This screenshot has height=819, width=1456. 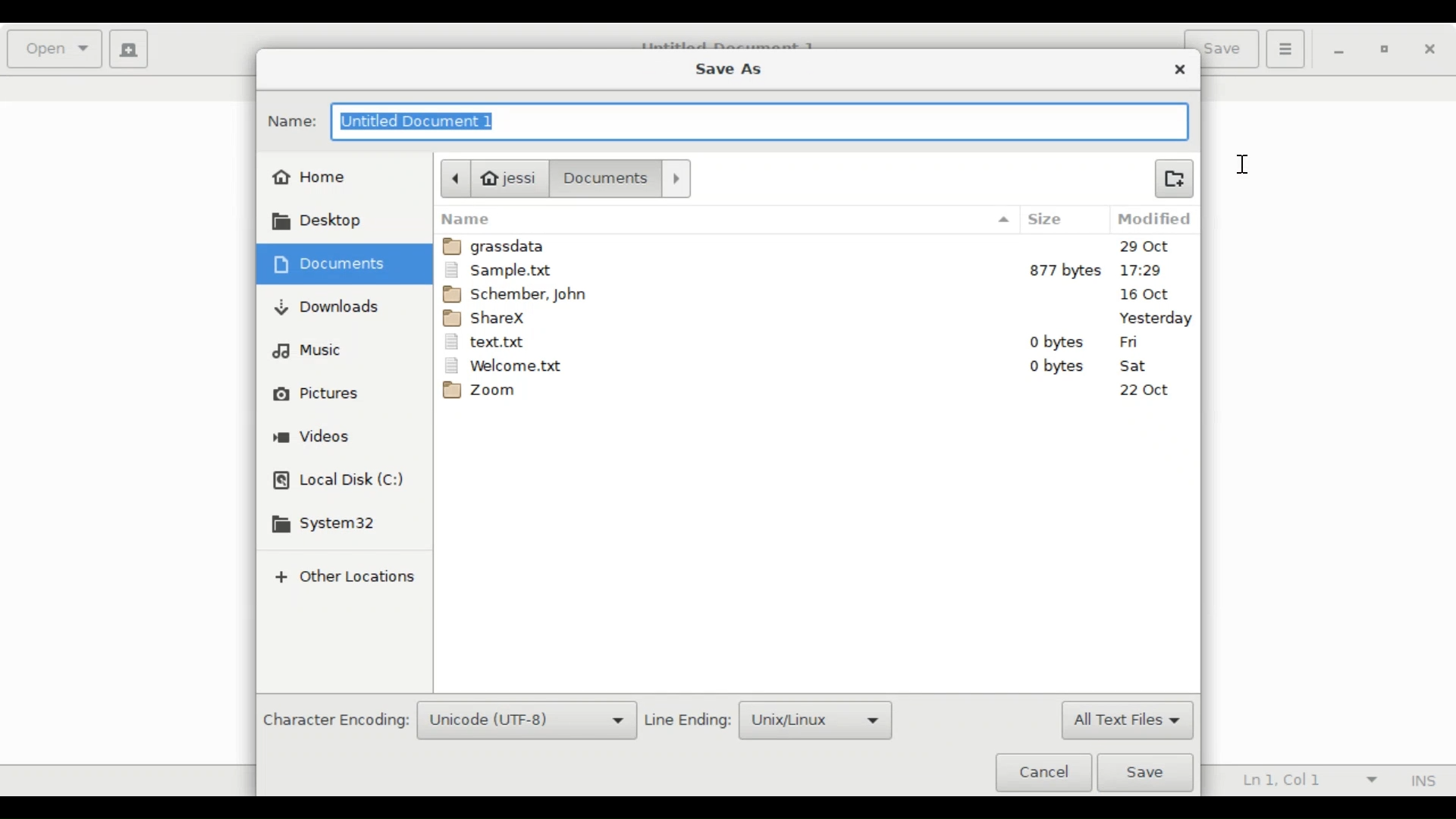 What do you see at coordinates (726, 219) in the screenshot?
I see `Name` at bounding box center [726, 219].